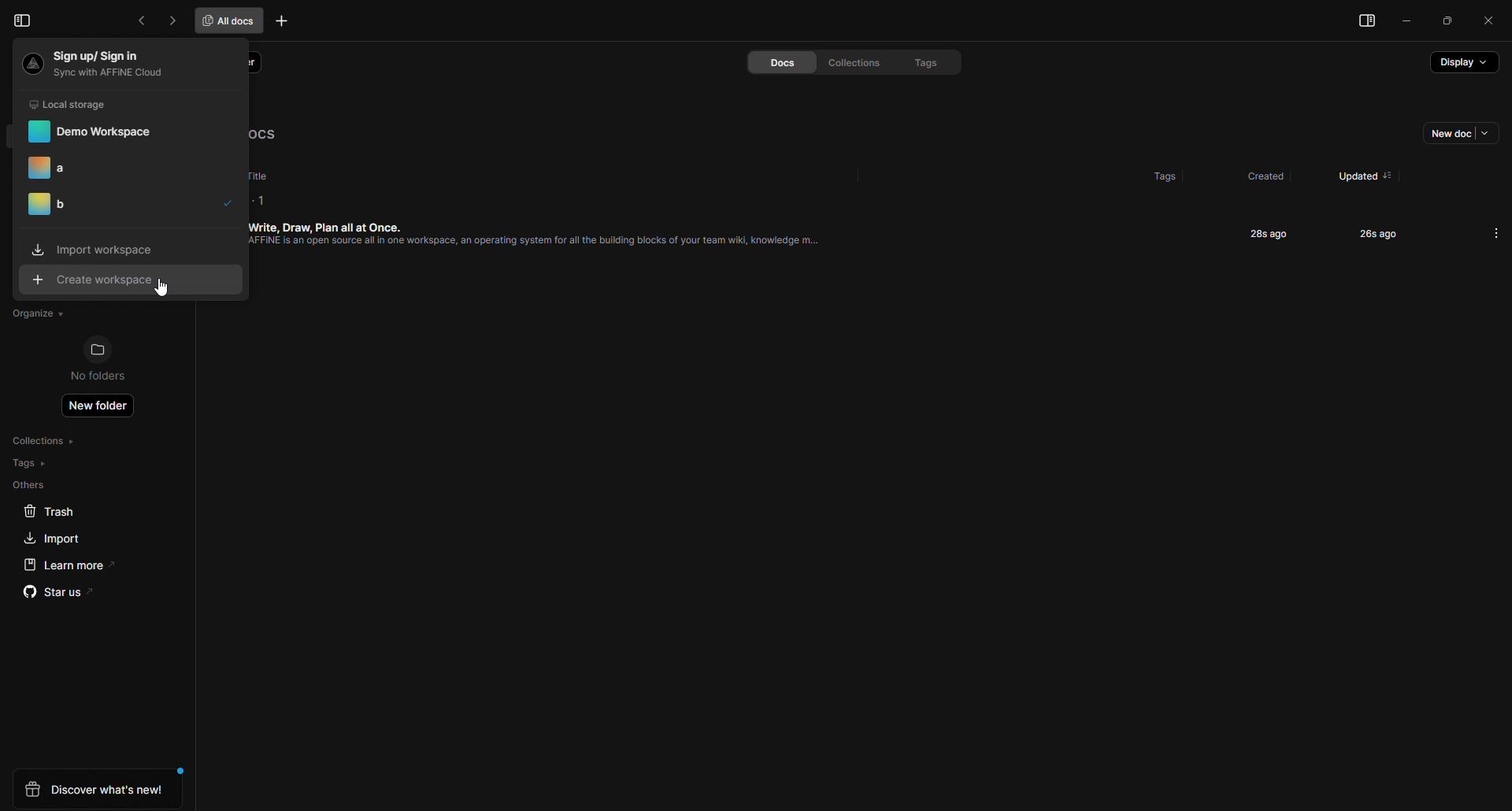  I want to click on tags, so click(917, 61).